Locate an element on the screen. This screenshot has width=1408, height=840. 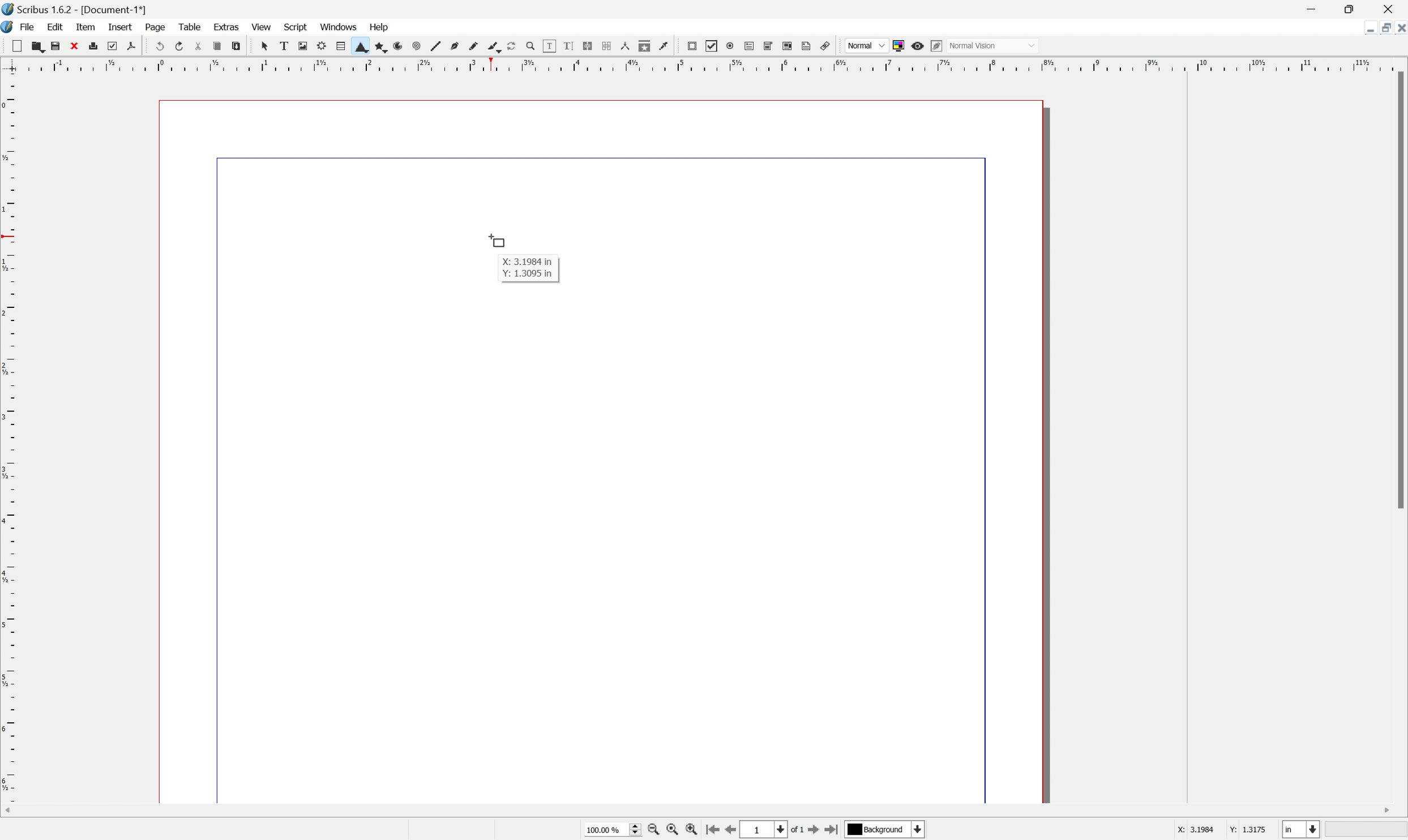
PDF push button is located at coordinates (691, 47).